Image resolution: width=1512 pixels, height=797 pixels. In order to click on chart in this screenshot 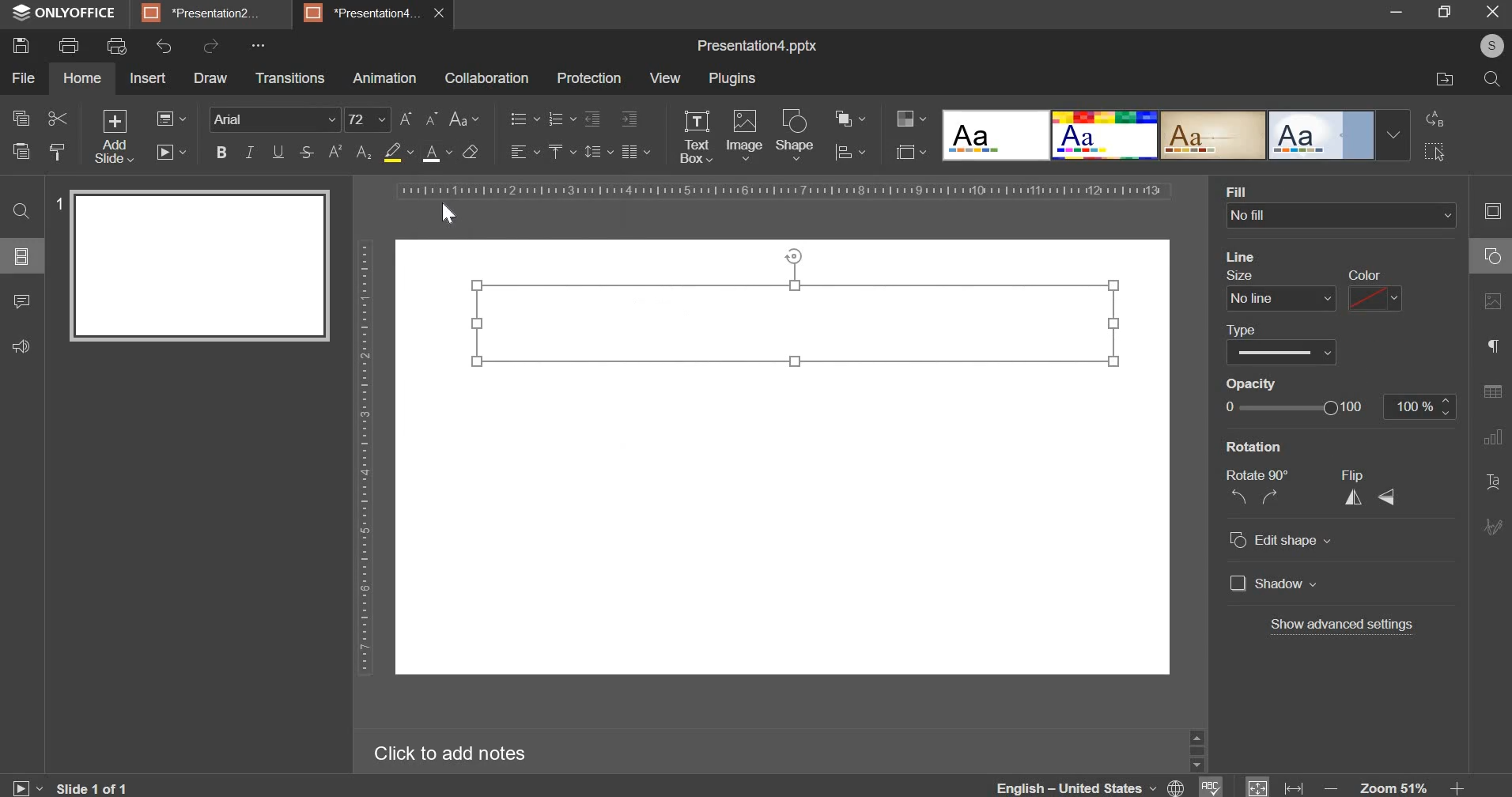, I will do `click(1489, 444)`.